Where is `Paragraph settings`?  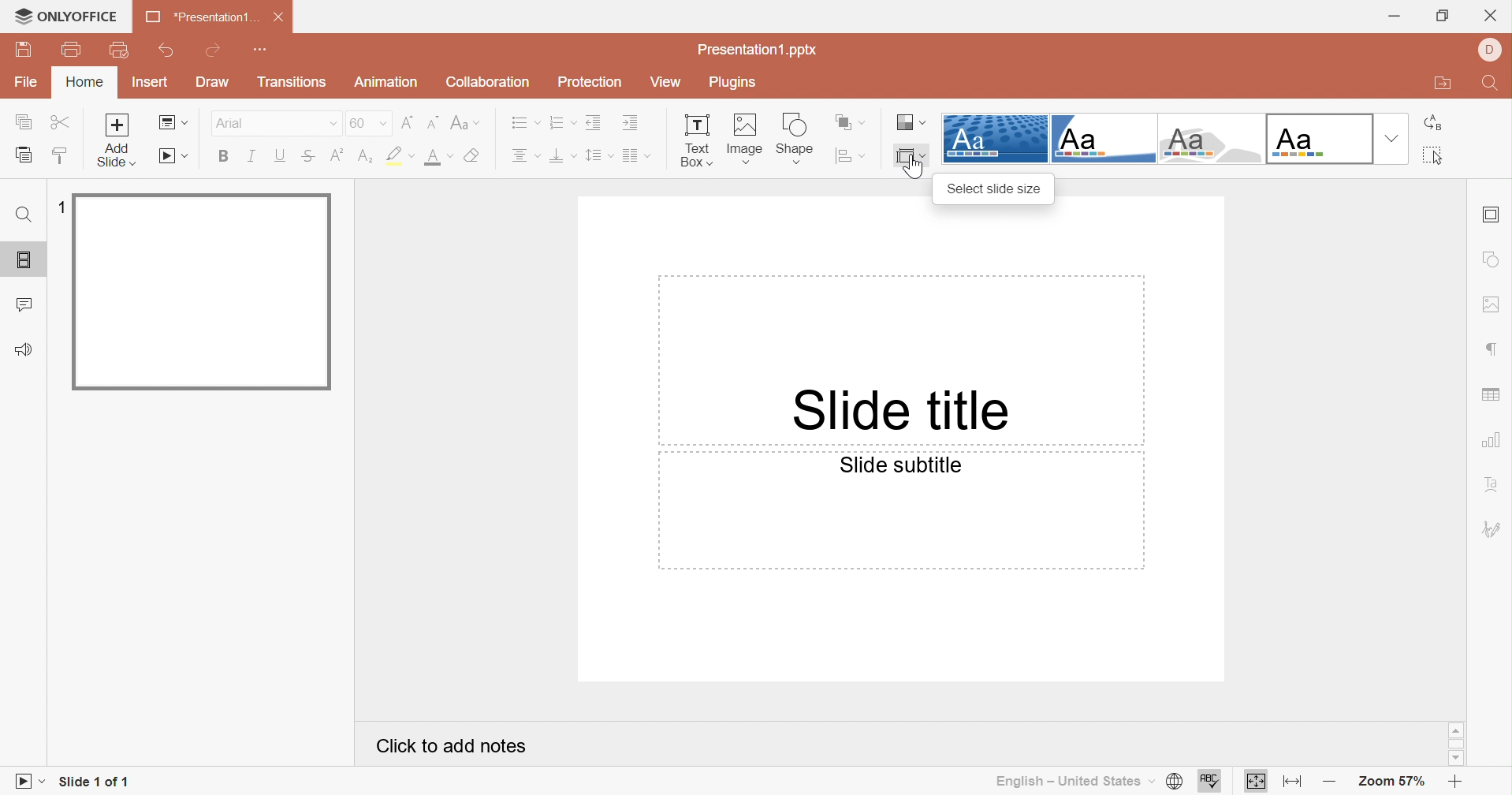
Paragraph settings is located at coordinates (1495, 349).